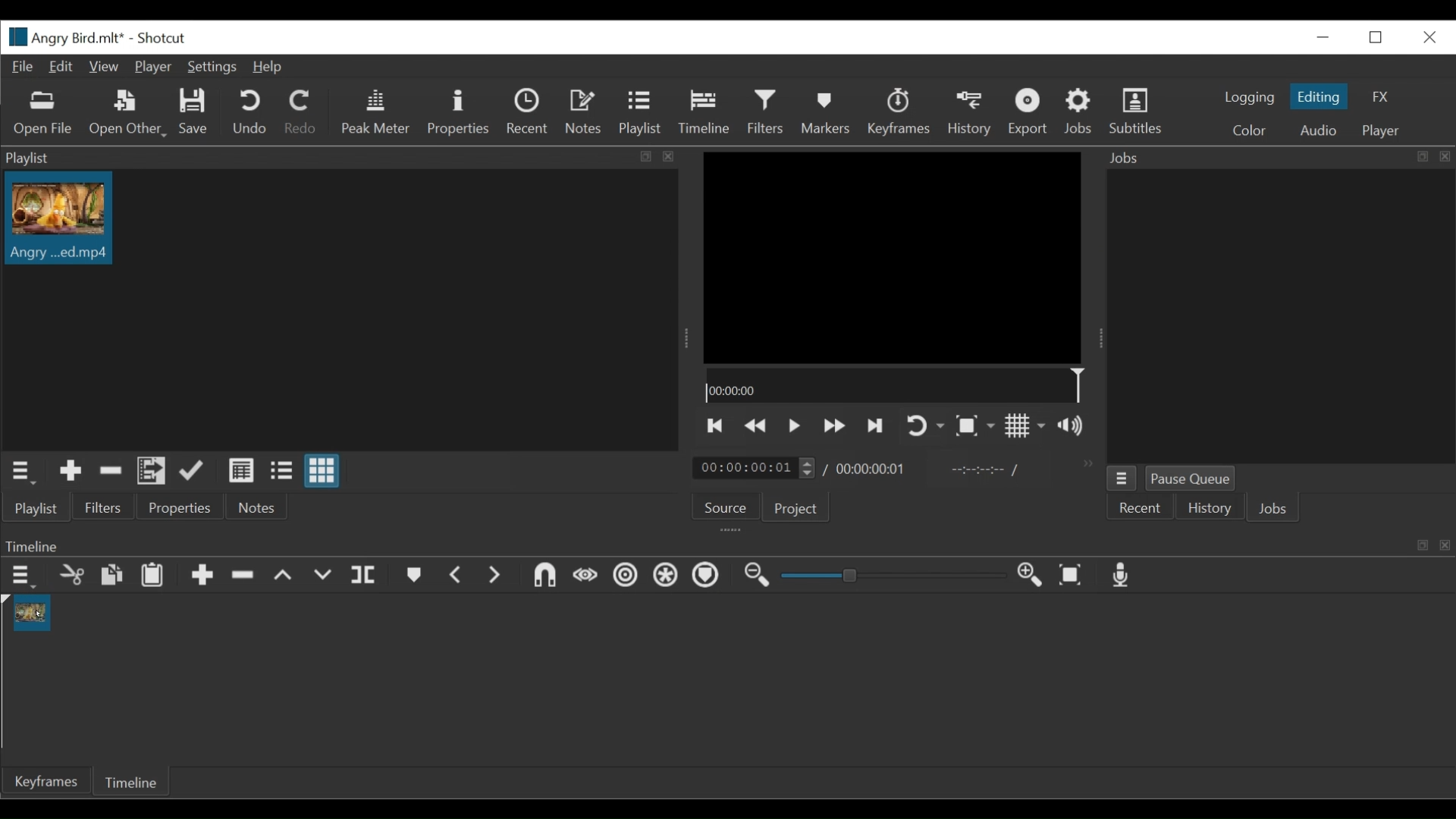 Image resolution: width=1456 pixels, height=819 pixels. What do you see at coordinates (924, 426) in the screenshot?
I see `Toggle player looping` at bounding box center [924, 426].